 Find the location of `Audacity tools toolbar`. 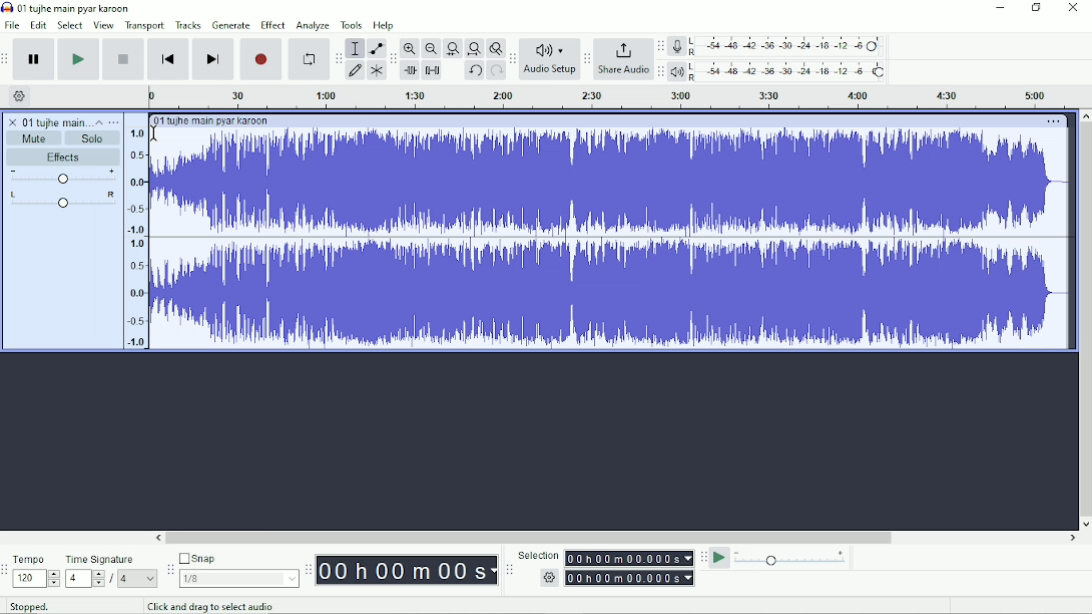

Audacity tools toolbar is located at coordinates (338, 58).